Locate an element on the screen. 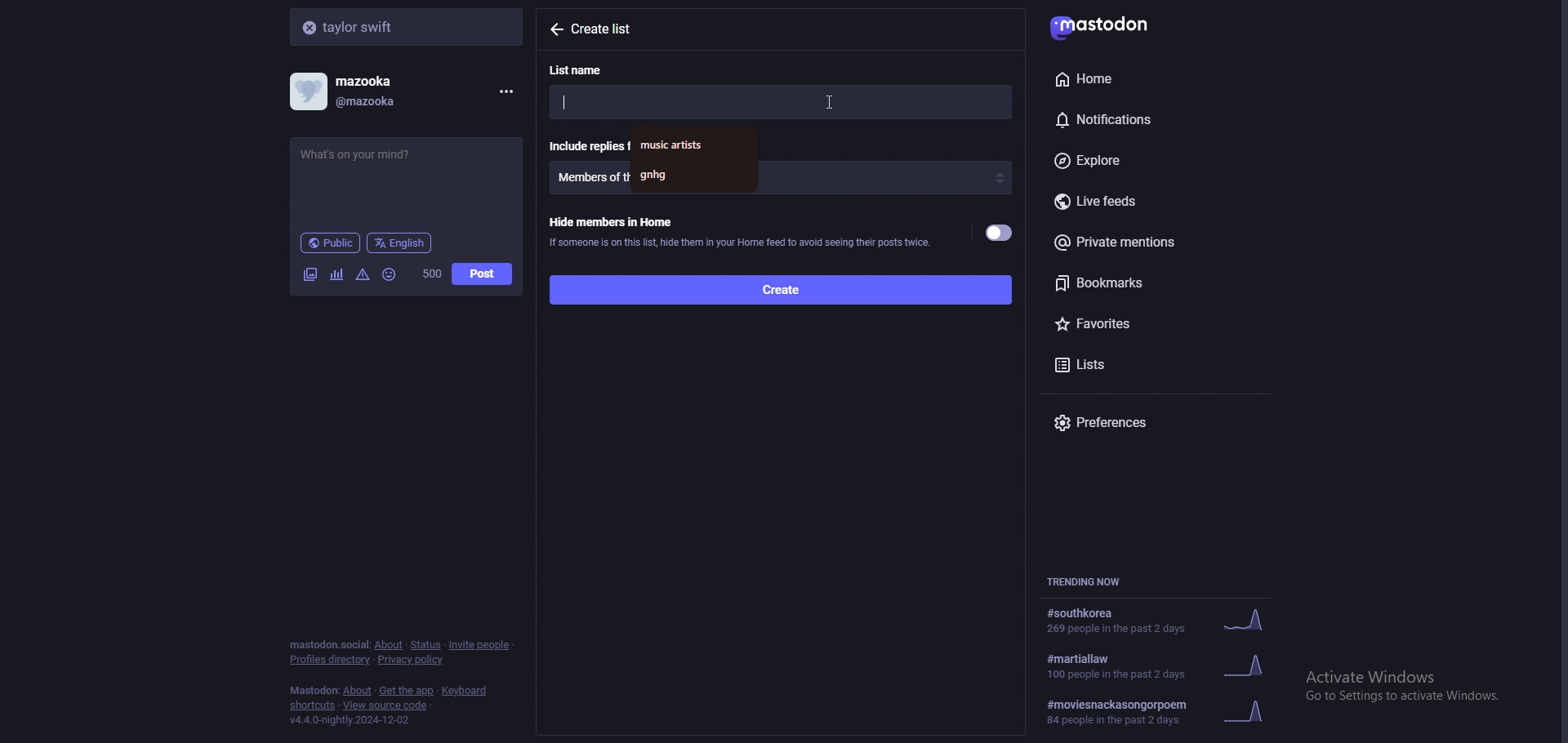 The width and height of the screenshot is (1568, 743). mastodon is located at coordinates (1111, 24).